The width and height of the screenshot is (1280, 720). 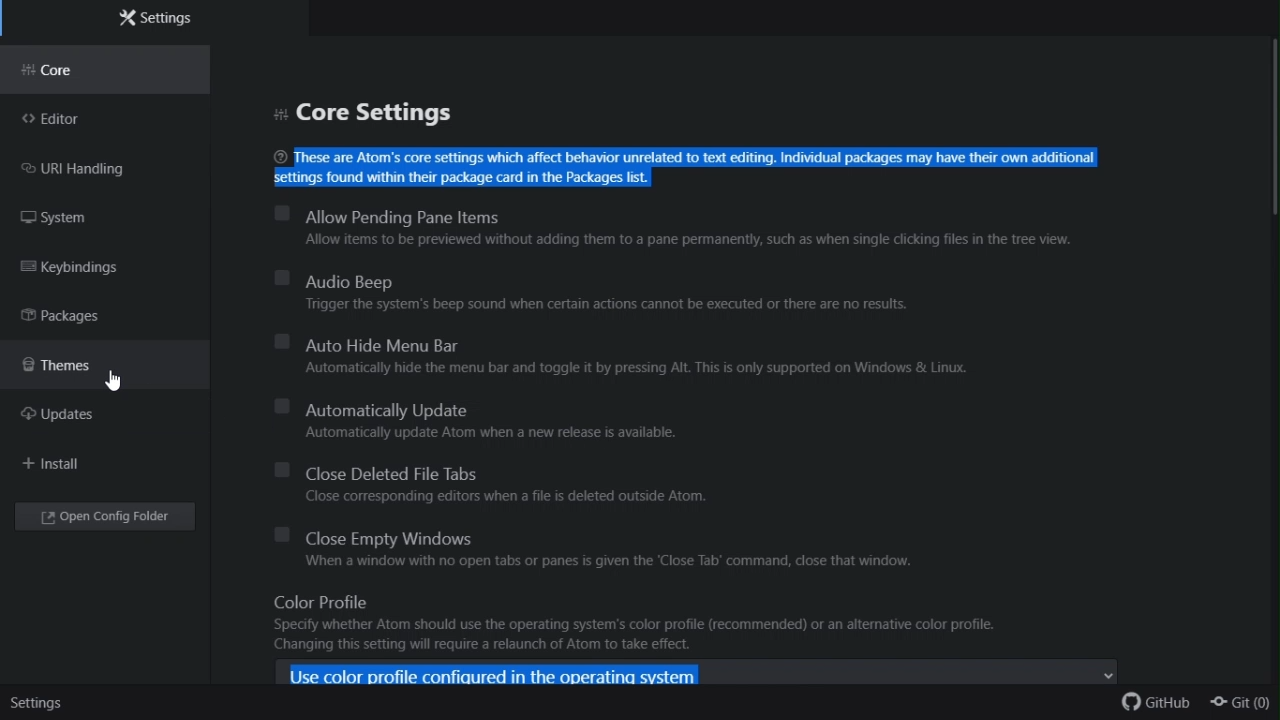 What do you see at coordinates (1270, 136) in the screenshot?
I see `scroll bar` at bounding box center [1270, 136].